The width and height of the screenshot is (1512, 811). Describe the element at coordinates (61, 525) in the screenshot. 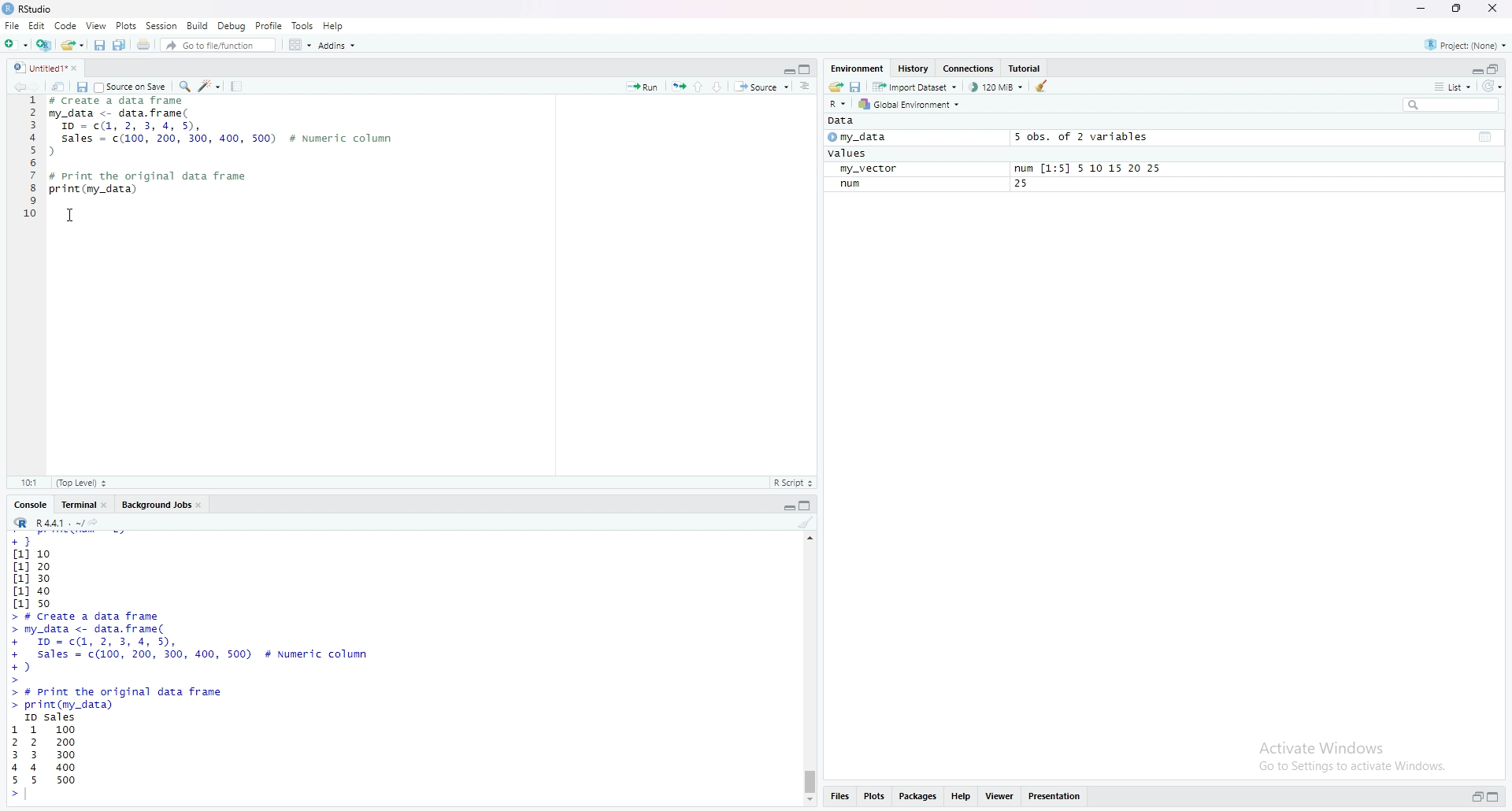

I see `R4.4.1 . ~/` at that location.